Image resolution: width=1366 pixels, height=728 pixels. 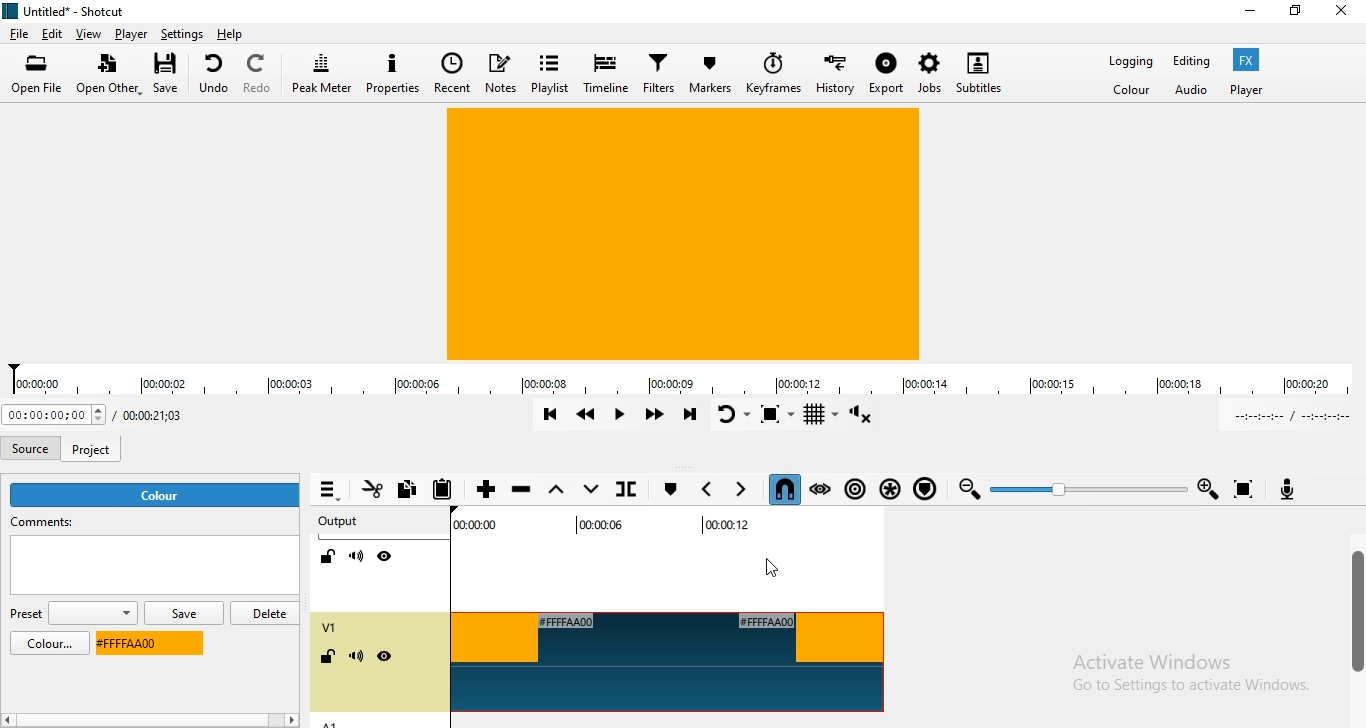 I want to click on Ripple, so click(x=856, y=491).